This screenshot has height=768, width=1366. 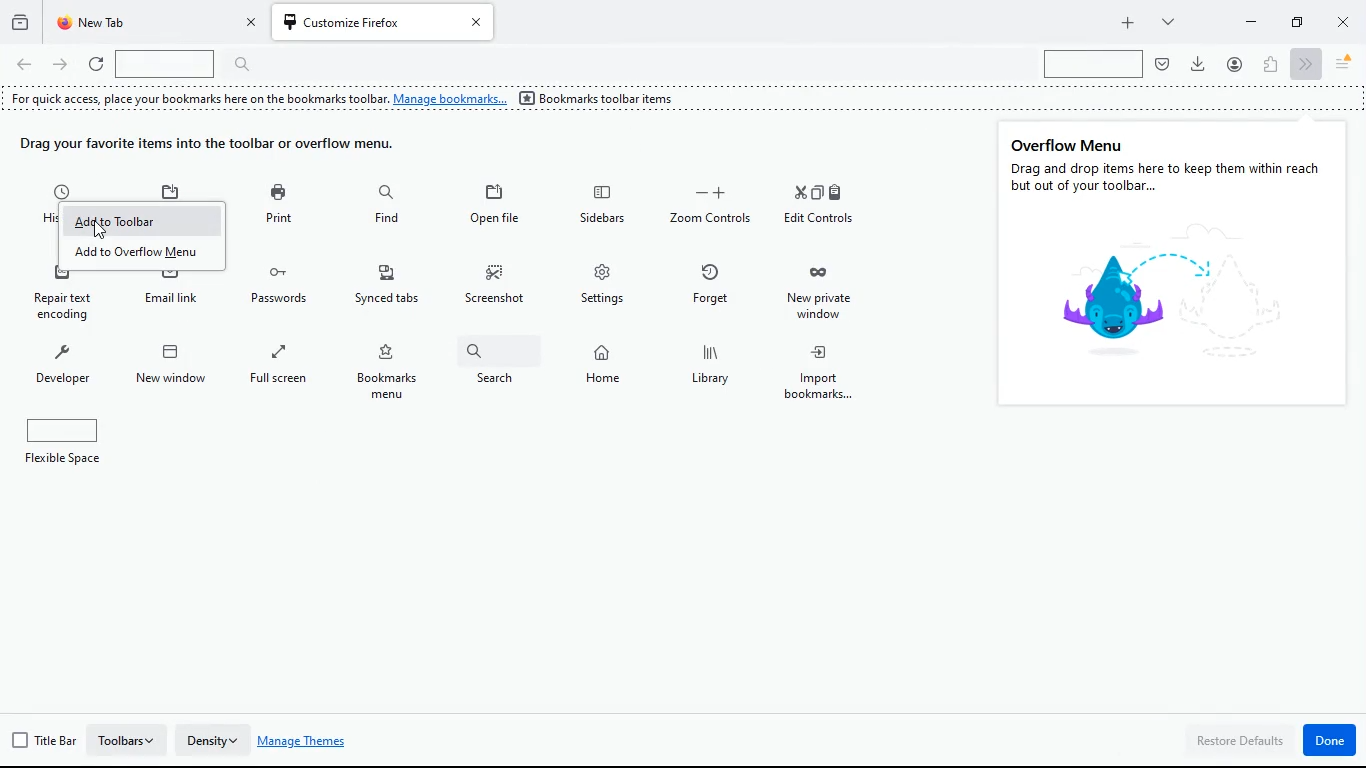 I want to click on extensions, so click(x=1270, y=63).